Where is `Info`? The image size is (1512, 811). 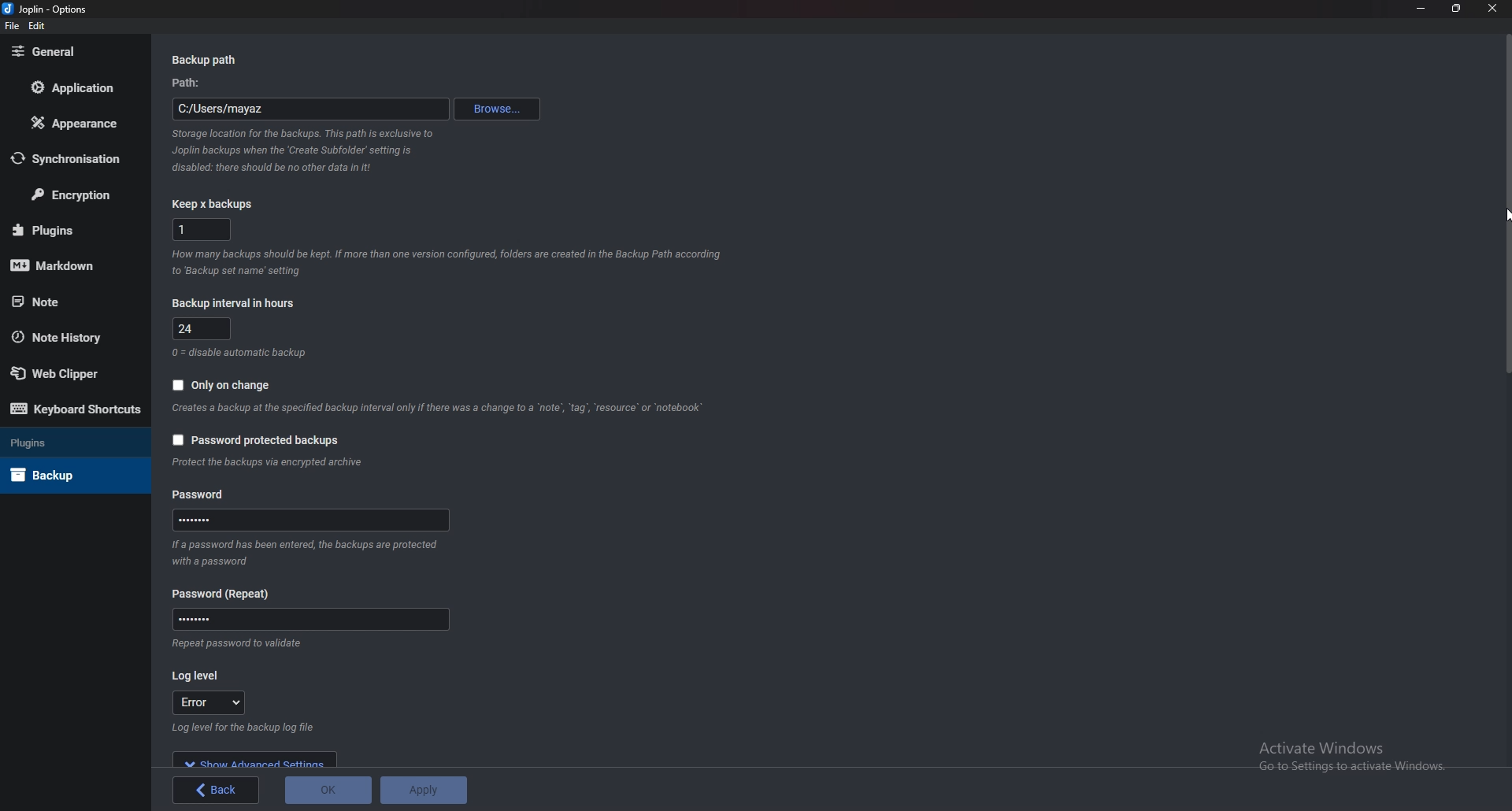 Info is located at coordinates (239, 646).